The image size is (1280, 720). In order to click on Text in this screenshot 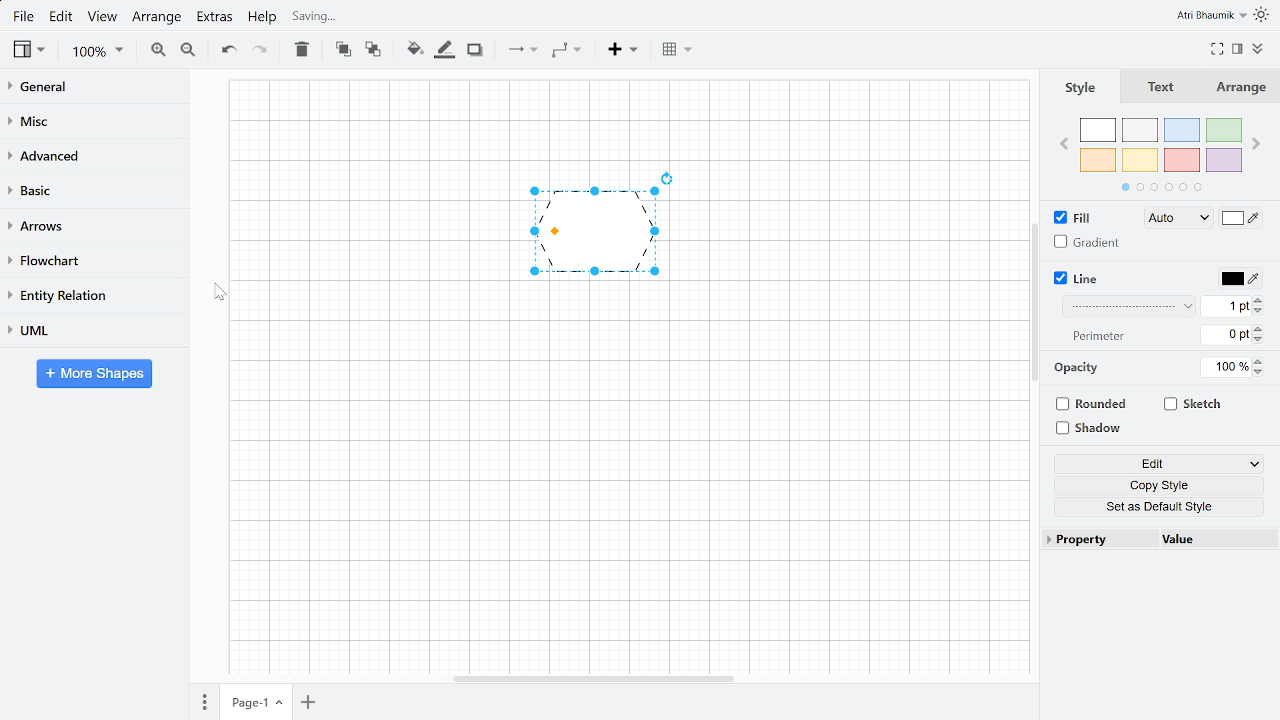, I will do `click(1154, 87)`.